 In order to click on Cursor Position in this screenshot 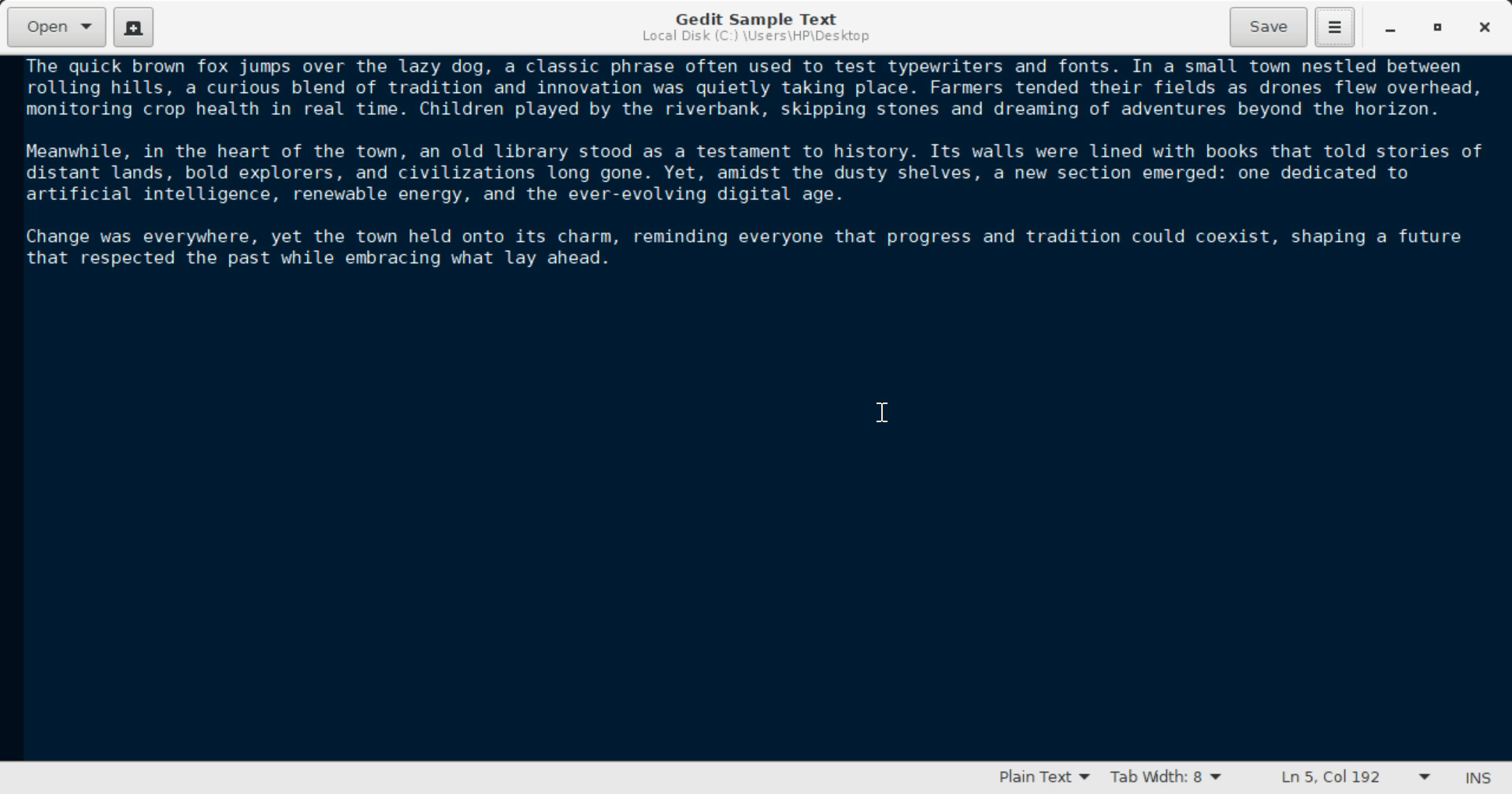, I will do `click(884, 412)`.